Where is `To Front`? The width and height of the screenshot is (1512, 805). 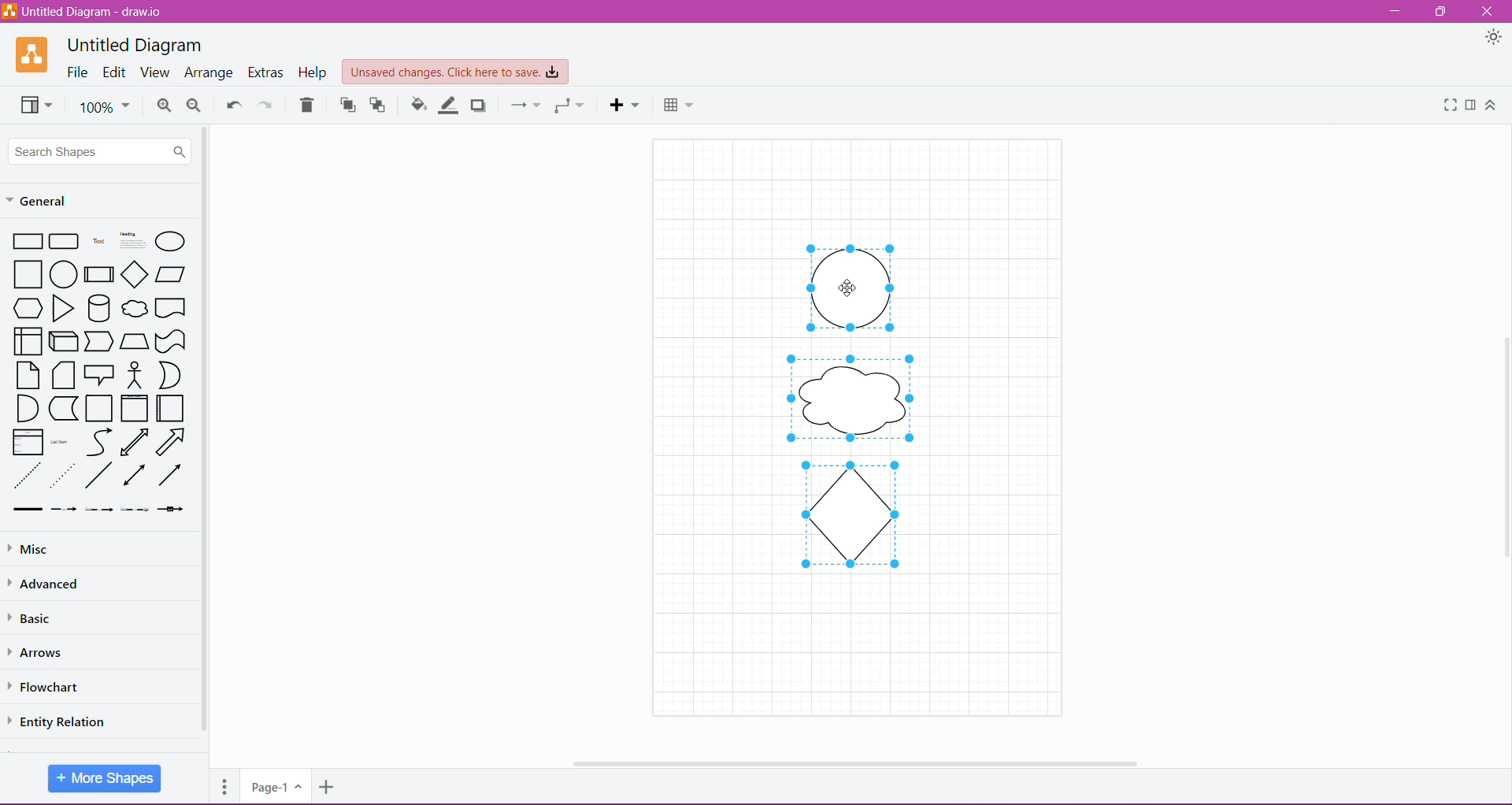 To Front is located at coordinates (346, 106).